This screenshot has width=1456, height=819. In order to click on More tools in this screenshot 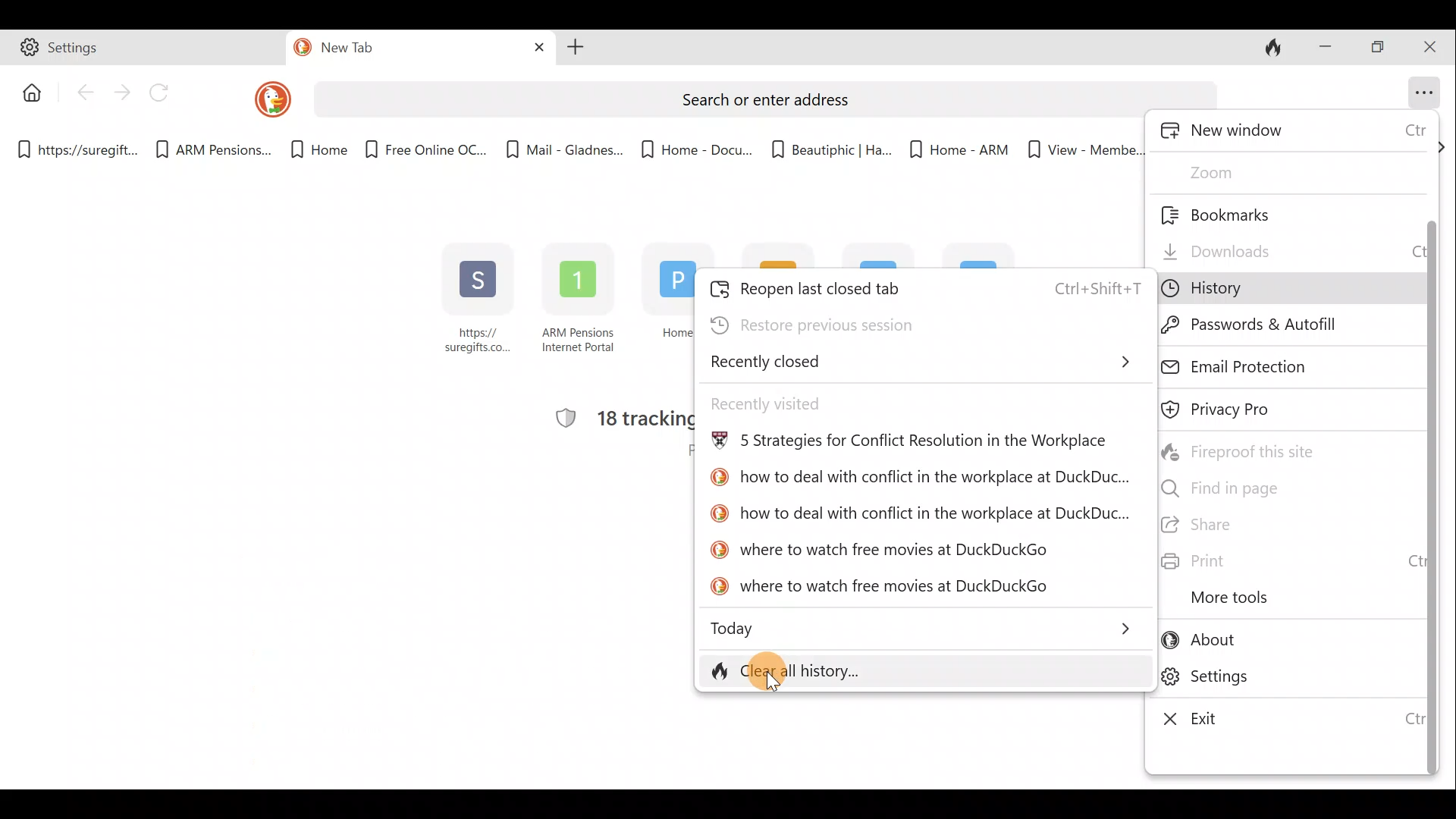, I will do `click(1266, 598)`.